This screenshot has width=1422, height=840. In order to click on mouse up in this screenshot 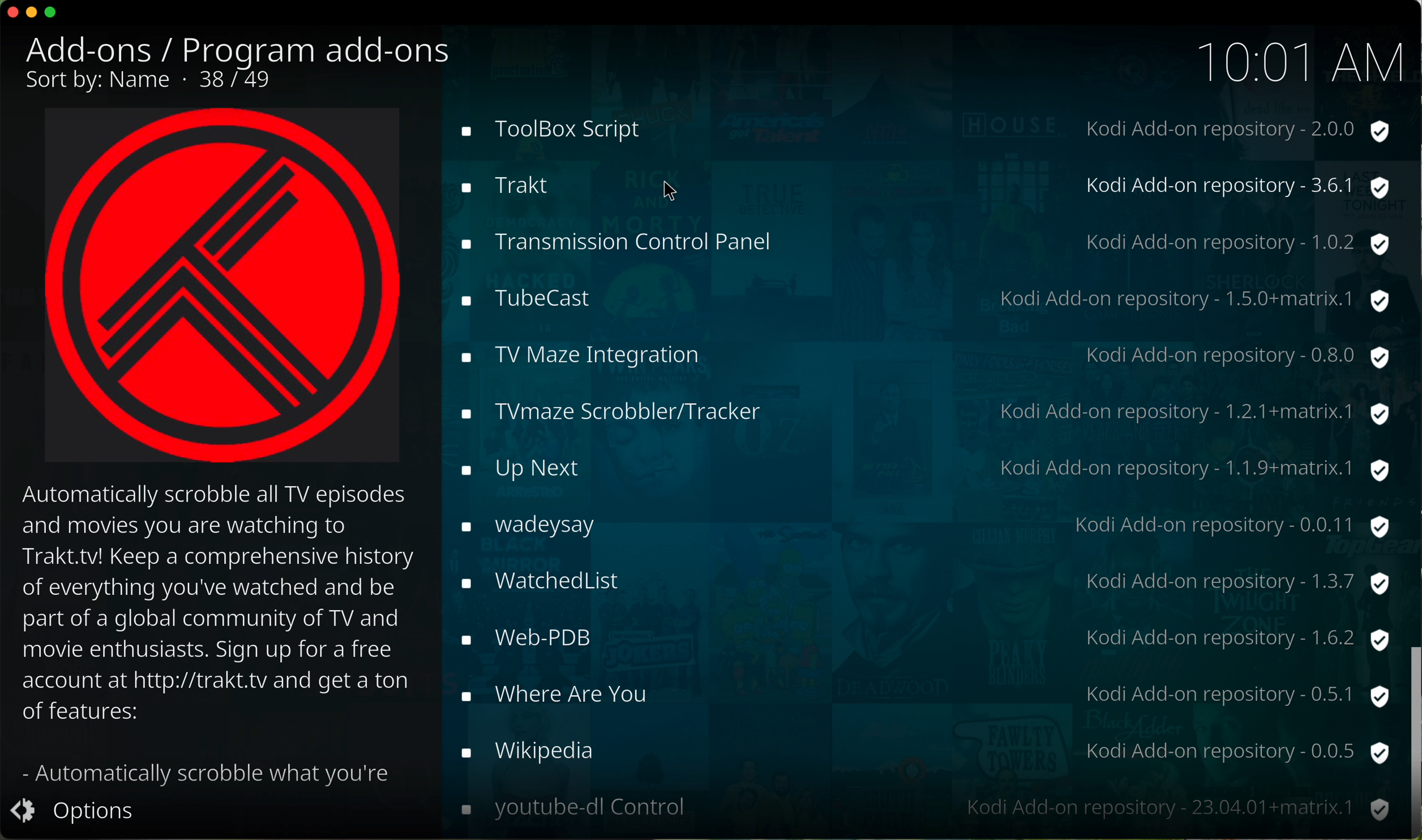, I will do `click(1412, 738)`.